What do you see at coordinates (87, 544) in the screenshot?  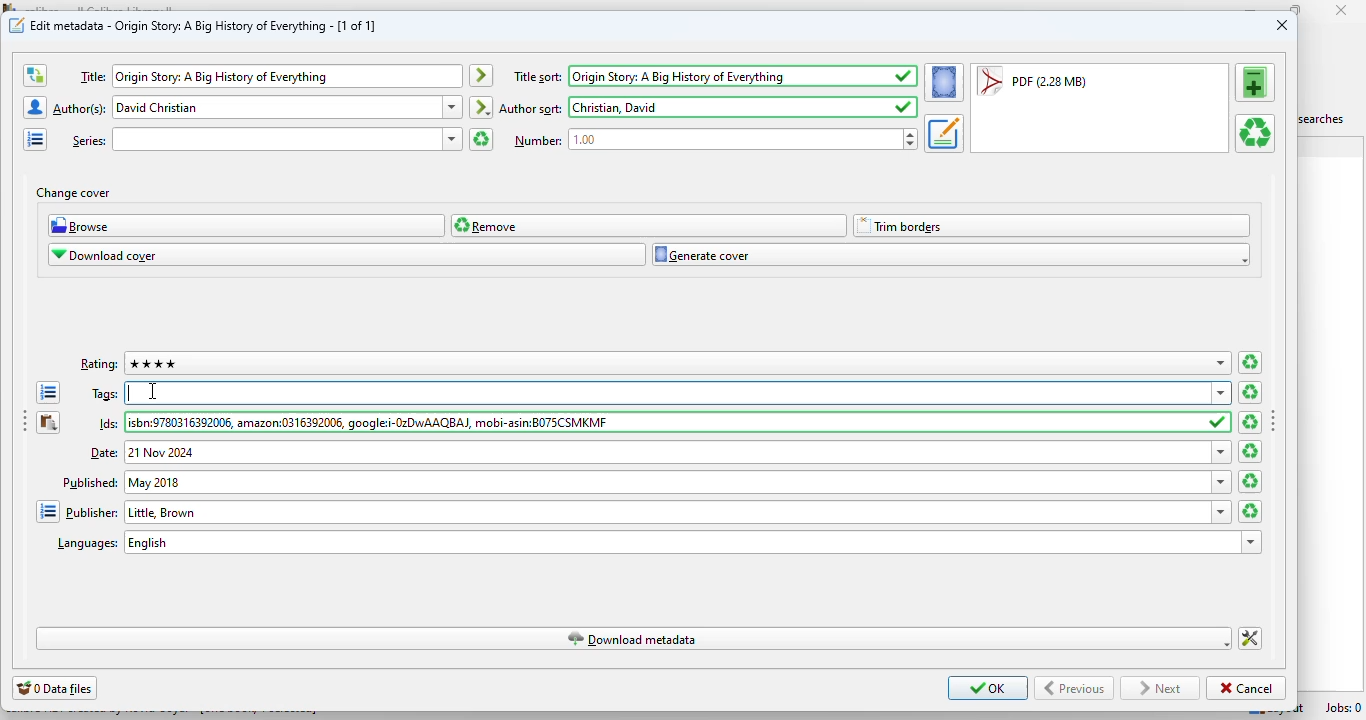 I see `text` at bounding box center [87, 544].